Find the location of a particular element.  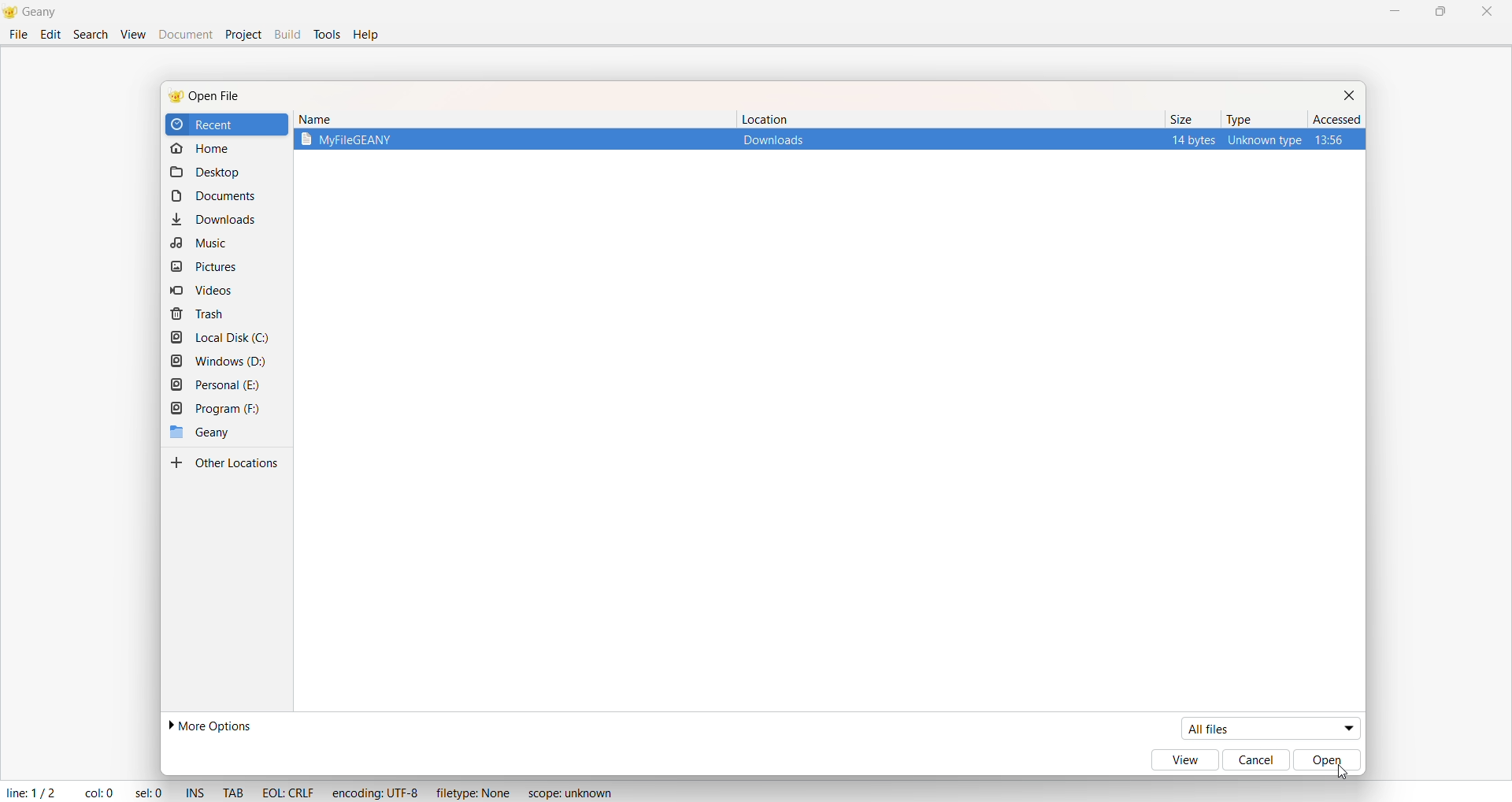

desktop is located at coordinates (207, 175).